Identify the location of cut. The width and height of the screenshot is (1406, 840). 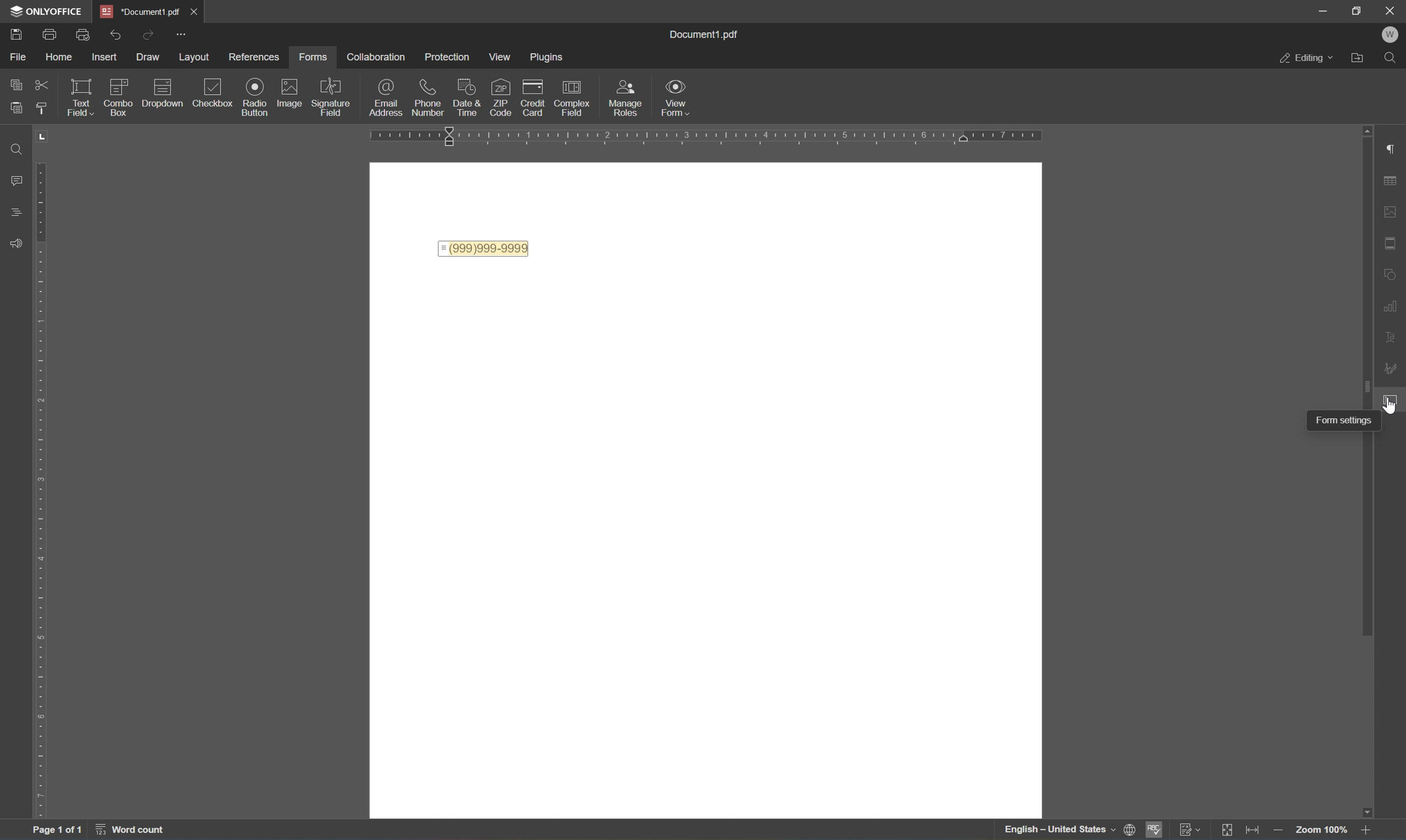
(42, 85).